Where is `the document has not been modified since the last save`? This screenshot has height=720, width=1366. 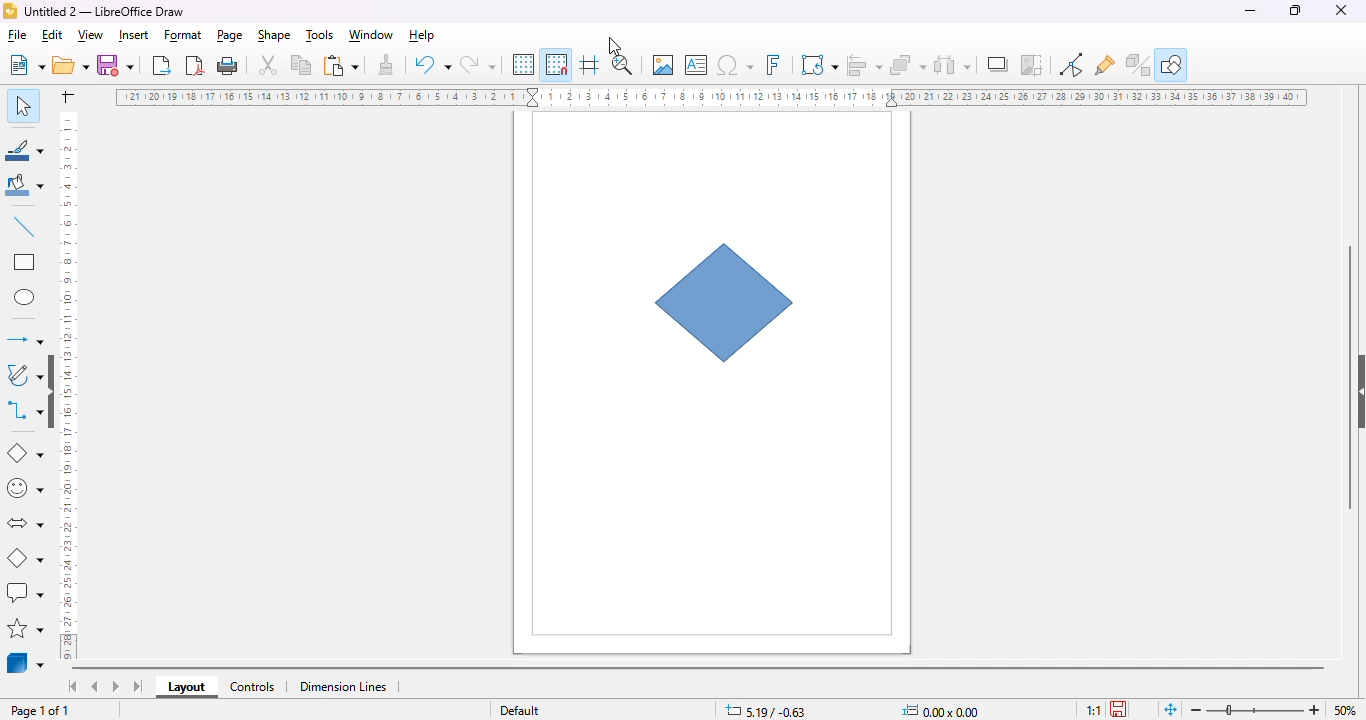 the document has not been modified since the last save is located at coordinates (1120, 708).